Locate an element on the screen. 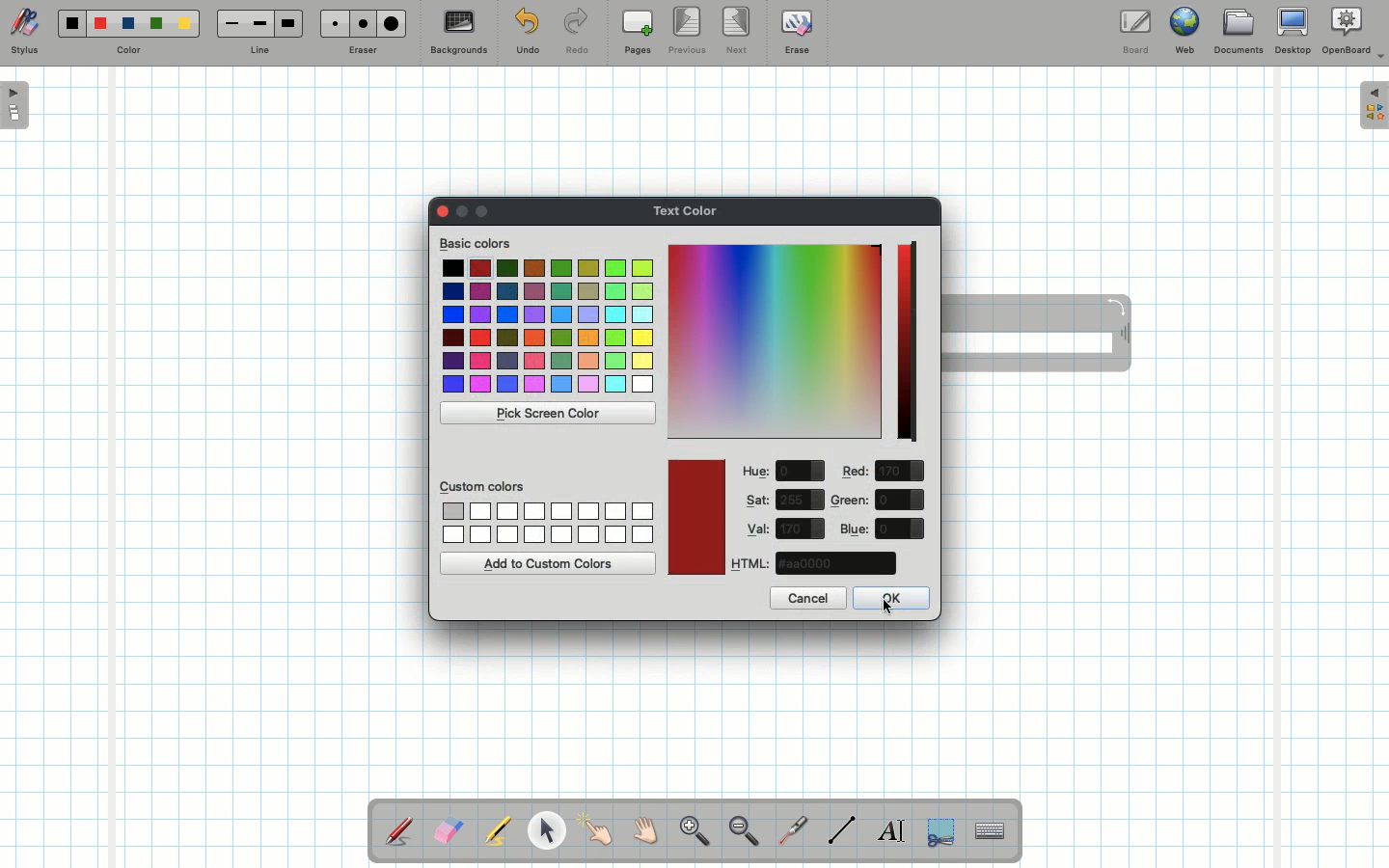 The image size is (1389, 868). Write text is located at coordinates (893, 827).